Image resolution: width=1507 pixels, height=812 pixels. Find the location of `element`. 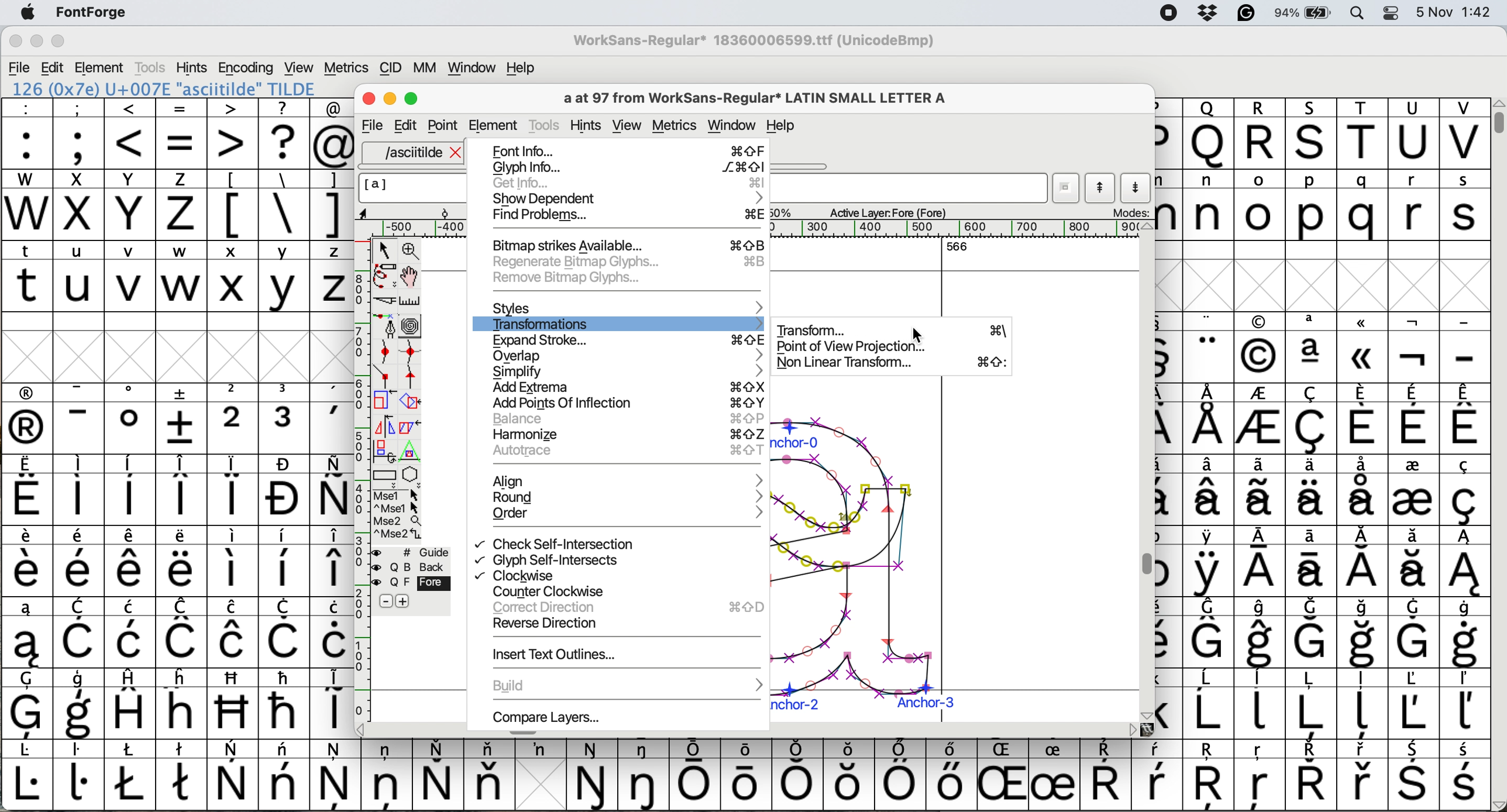

element is located at coordinates (495, 126).